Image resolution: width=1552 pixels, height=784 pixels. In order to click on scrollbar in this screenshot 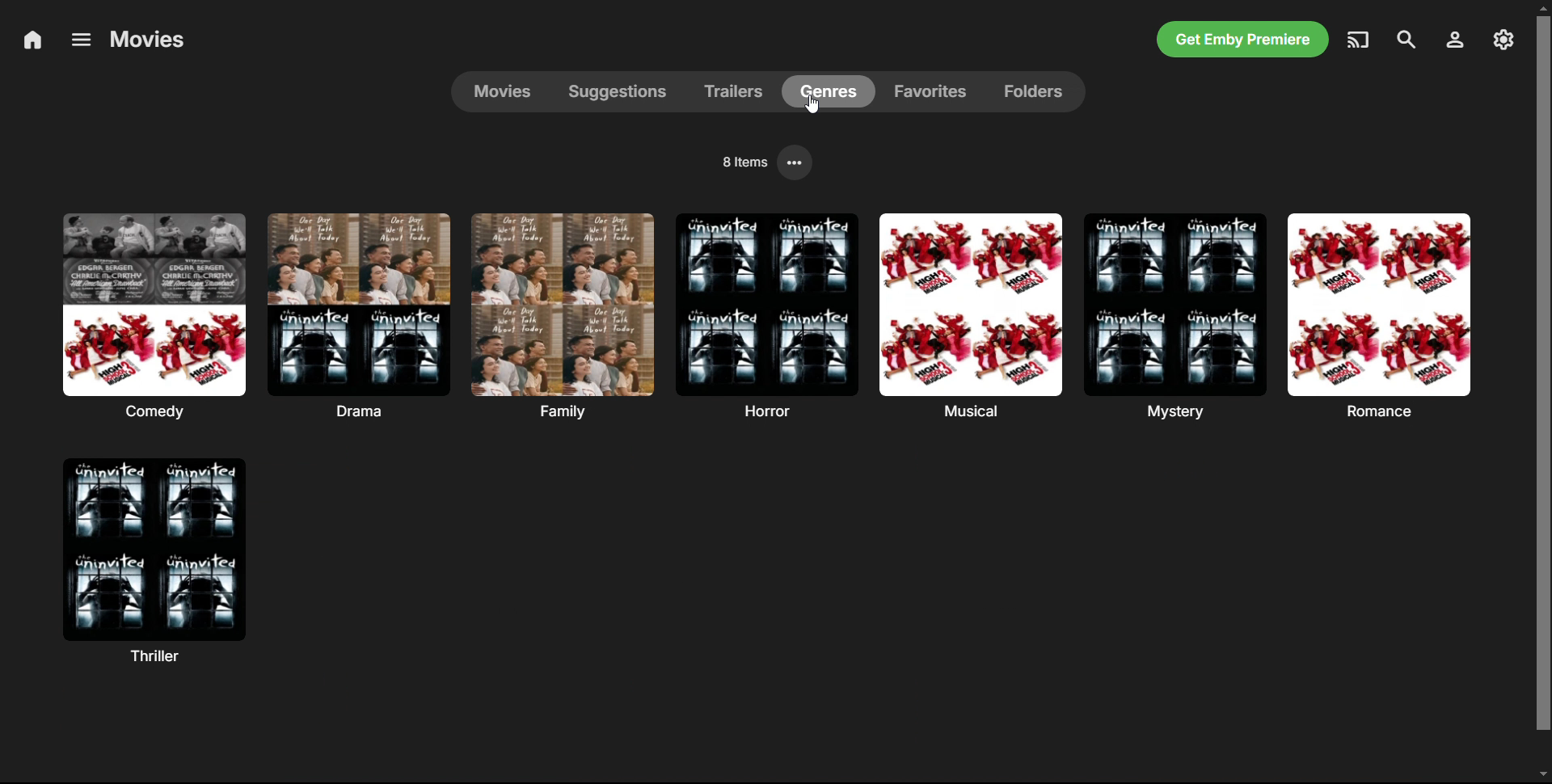, I will do `click(1544, 393)`.